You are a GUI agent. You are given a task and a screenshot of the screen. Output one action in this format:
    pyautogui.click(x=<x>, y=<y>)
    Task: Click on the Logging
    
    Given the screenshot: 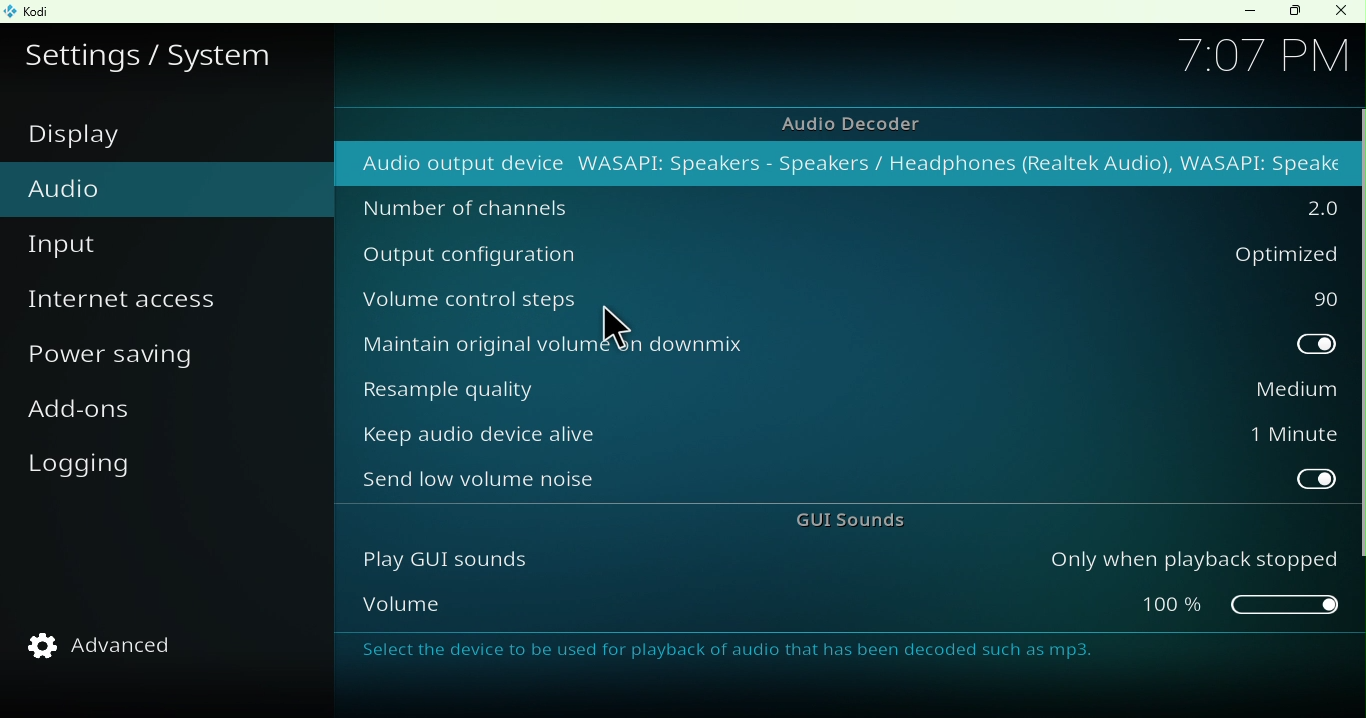 What is the action you would take?
    pyautogui.click(x=84, y=474)
    